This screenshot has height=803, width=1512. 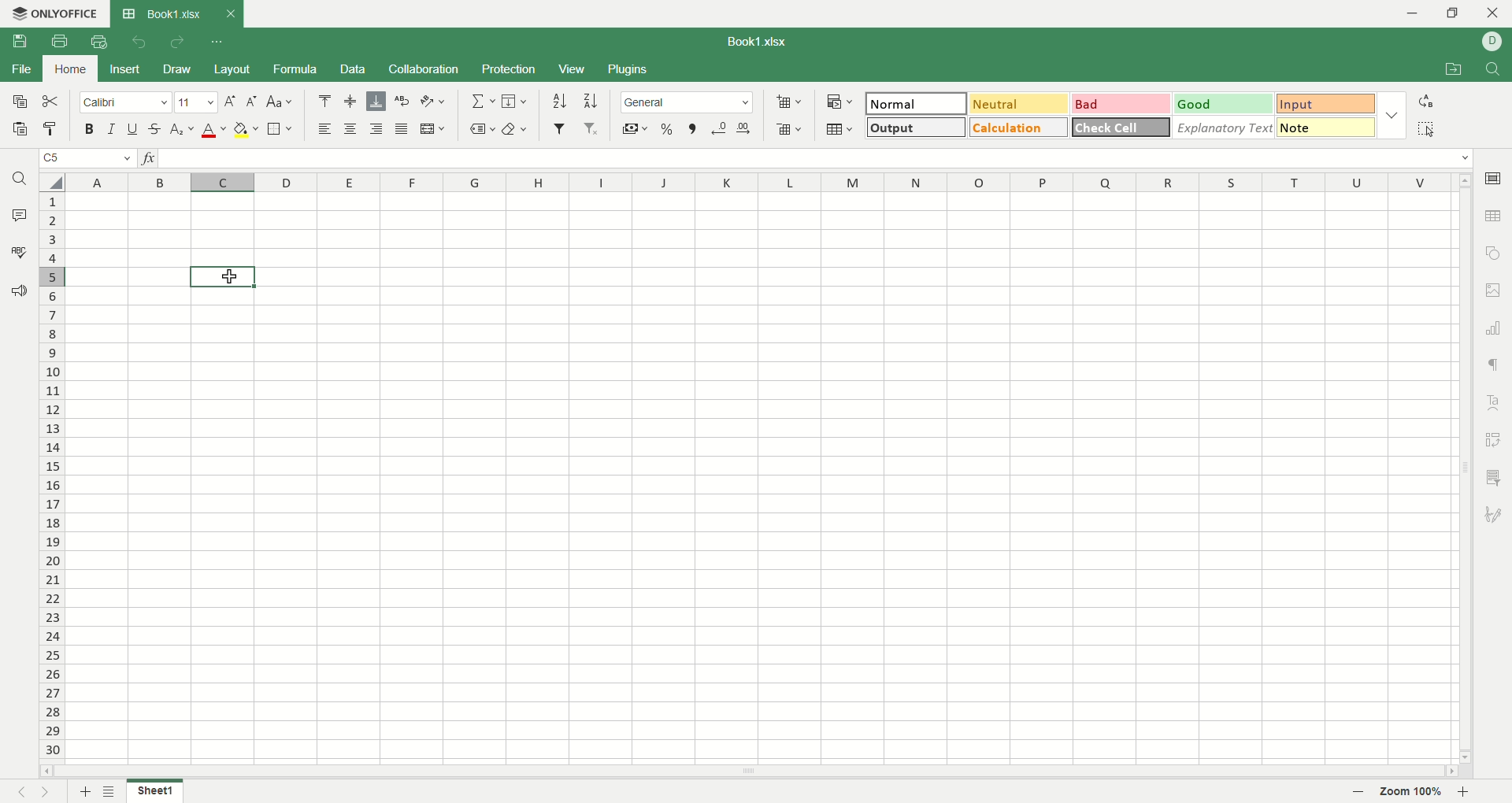 I want to click on note, so click(x=1326, y=127).